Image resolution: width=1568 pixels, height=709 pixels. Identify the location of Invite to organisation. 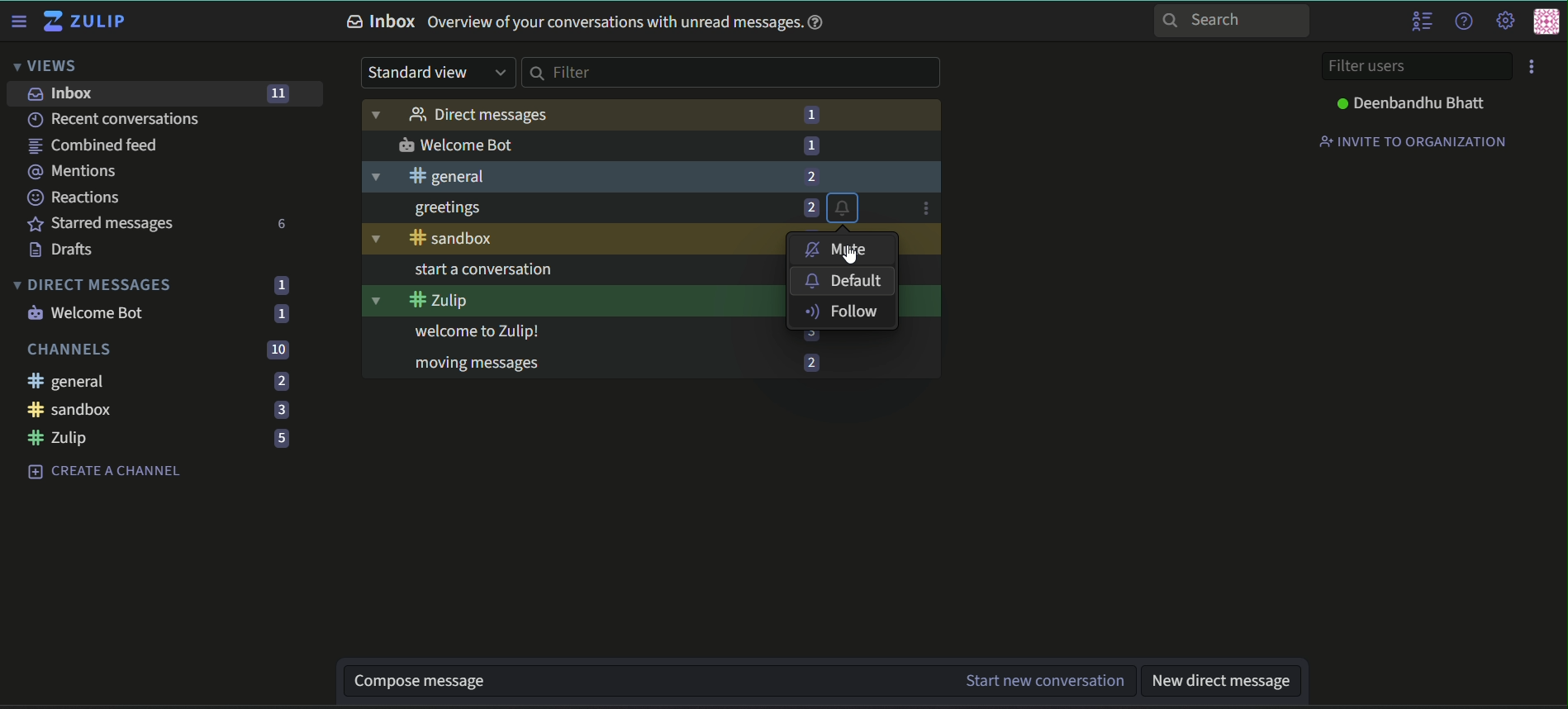
(1414, 140).